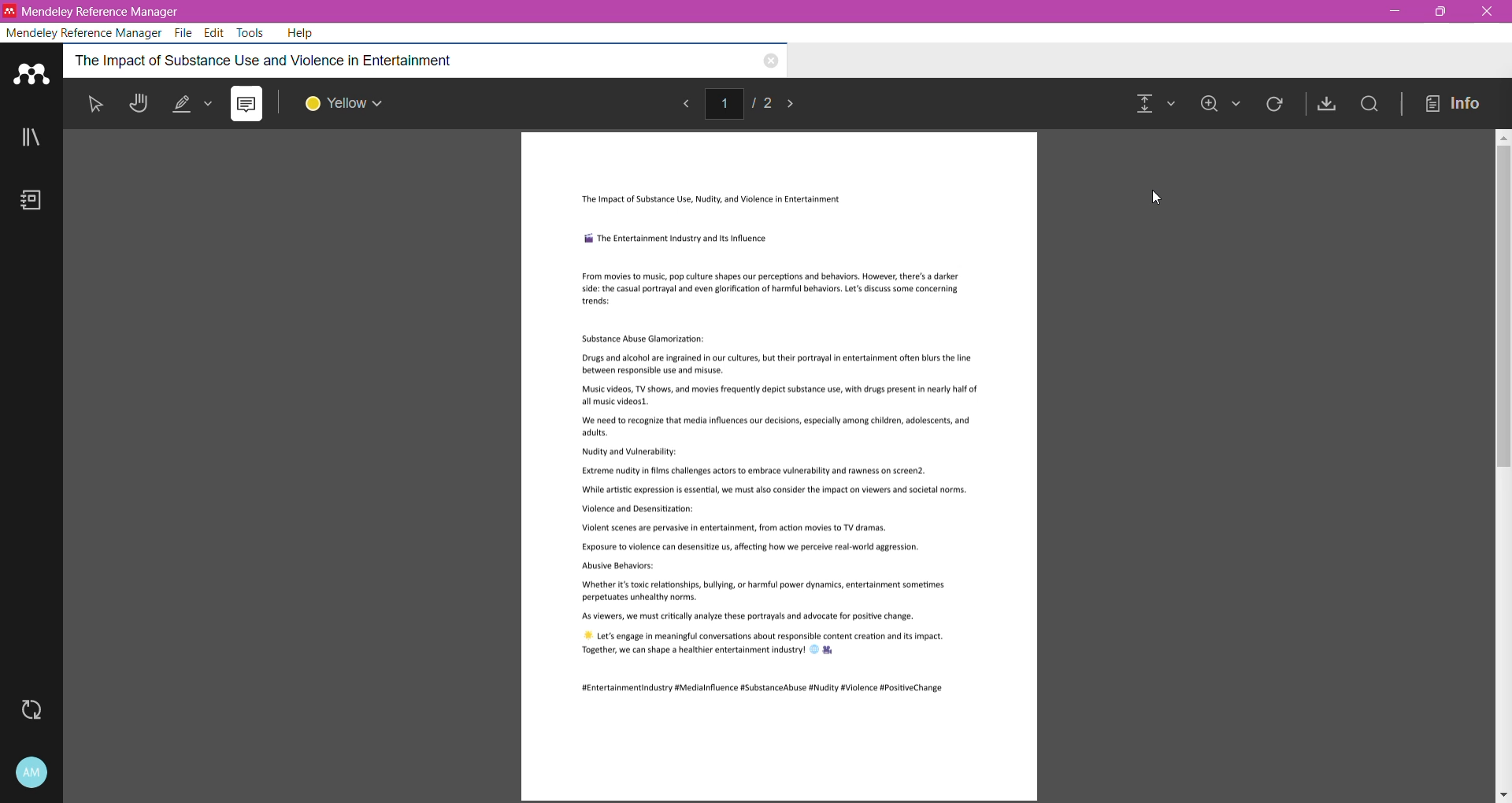  What do you see at coordinates (1395, 12) in the screenshot?
I see `Minimize` at bounding box center [1395, 12].